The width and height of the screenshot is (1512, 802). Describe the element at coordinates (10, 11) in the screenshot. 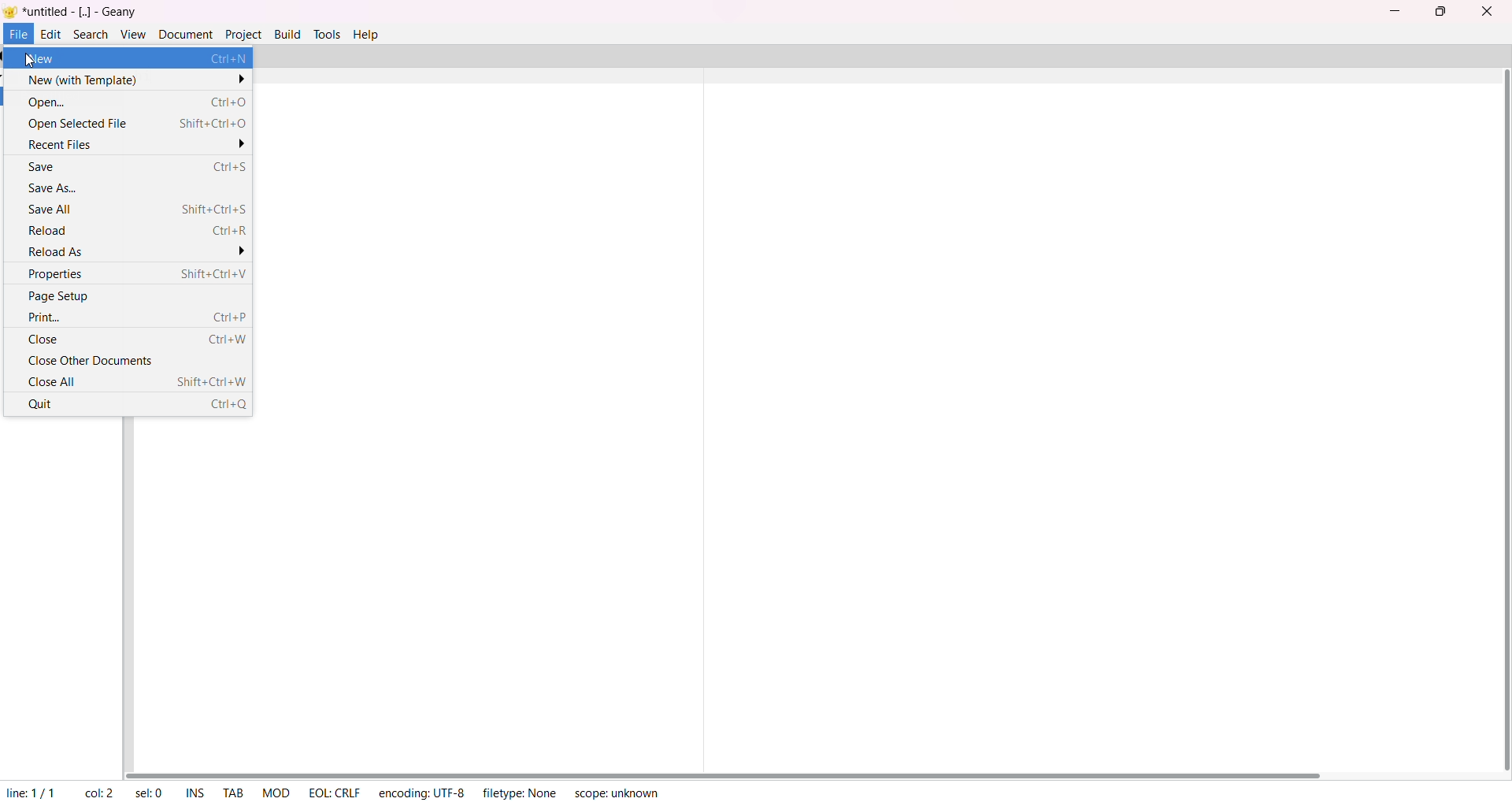

I see `Geany logo` at that location.